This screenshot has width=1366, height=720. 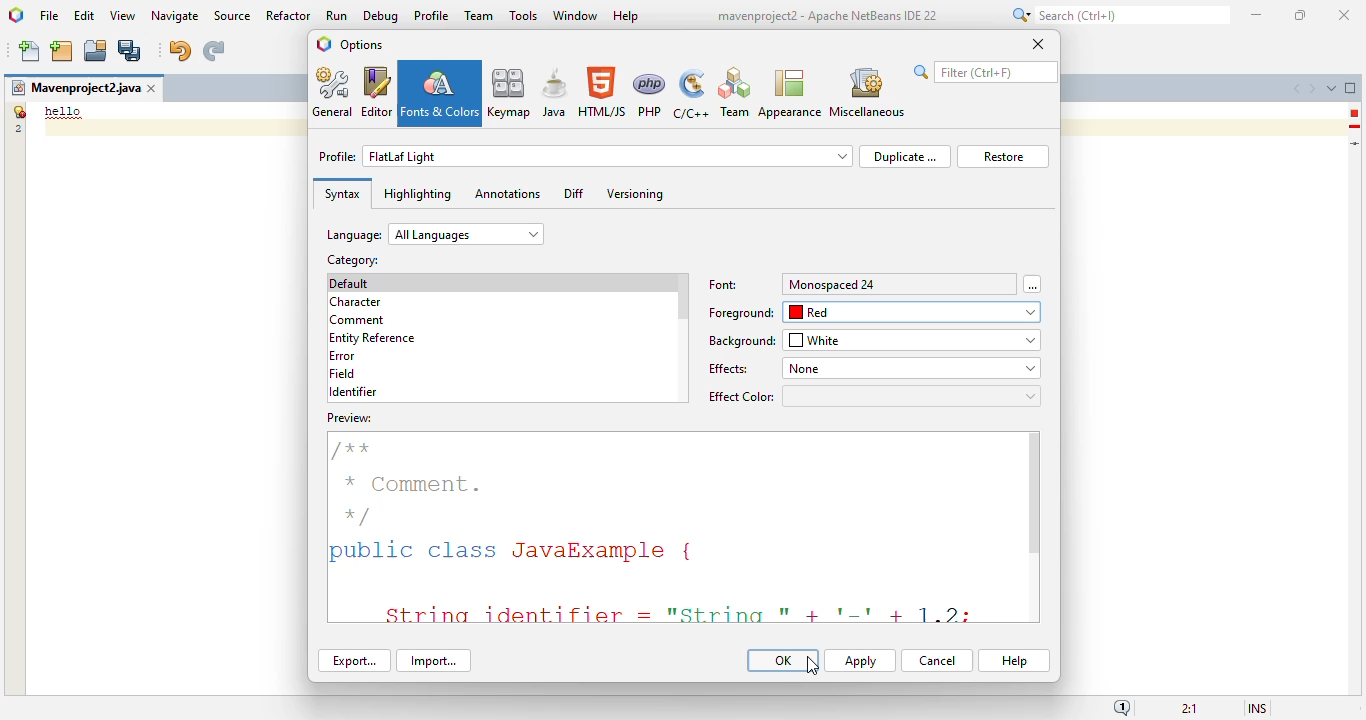 What do you see at coordinates (1354, 113) in the screenshot?
I see `error` at bounding box center [1354, 113].